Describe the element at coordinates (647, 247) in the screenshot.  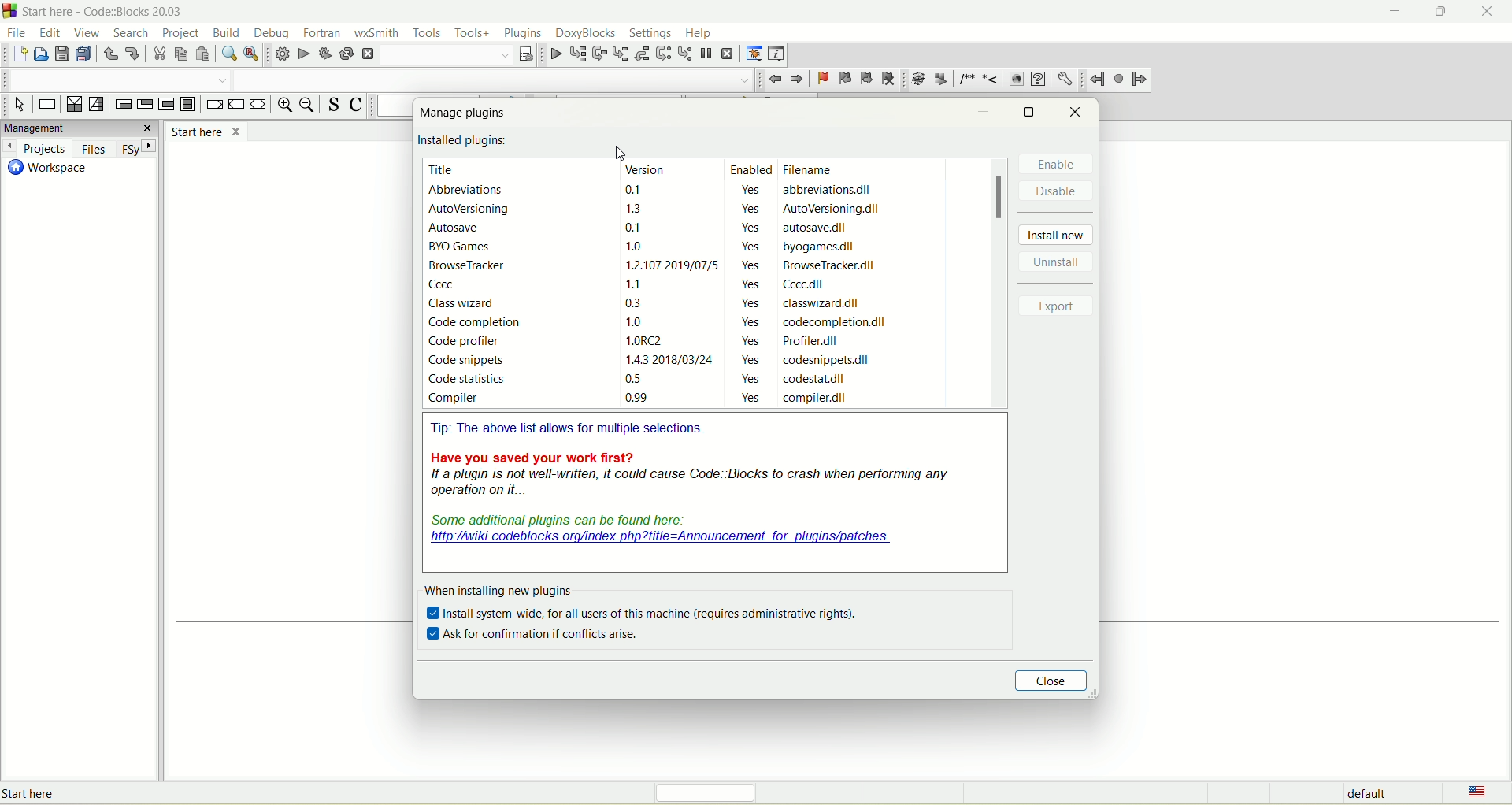
I see `BYO Games 10 Yes  byogames.dil` at that location.